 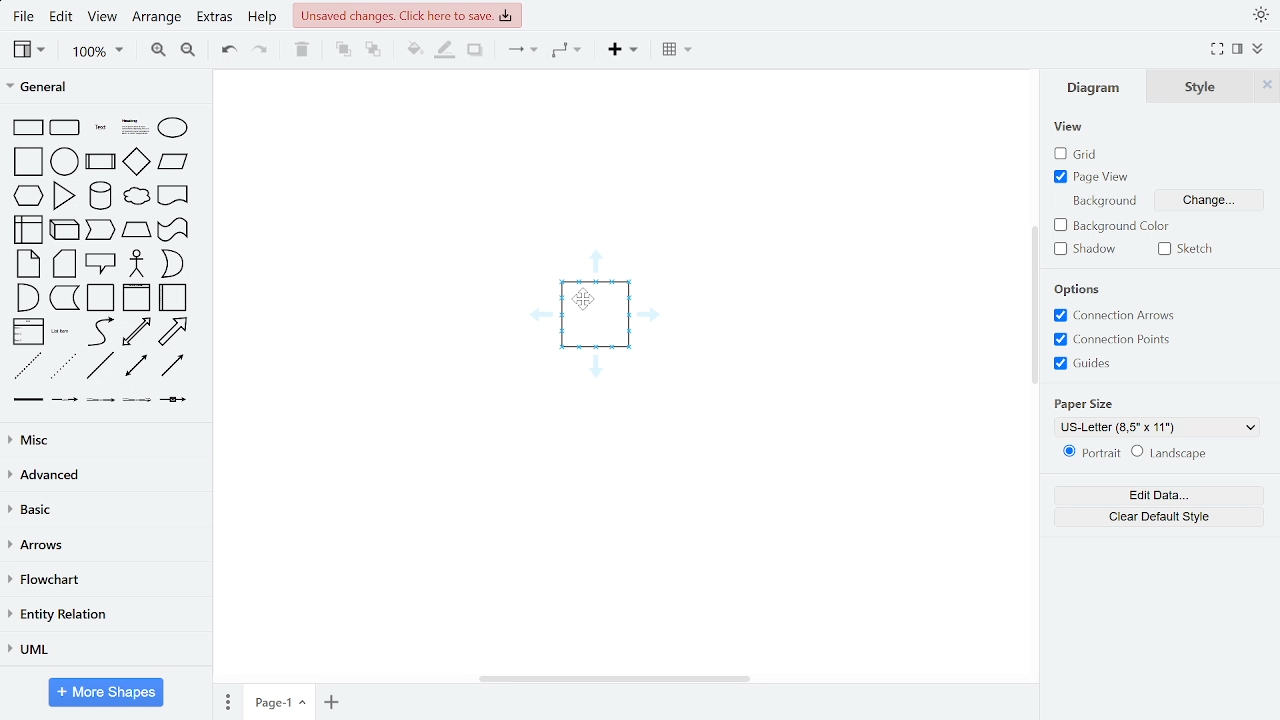 I want to click on general shapes, so click(x=172, y=296).